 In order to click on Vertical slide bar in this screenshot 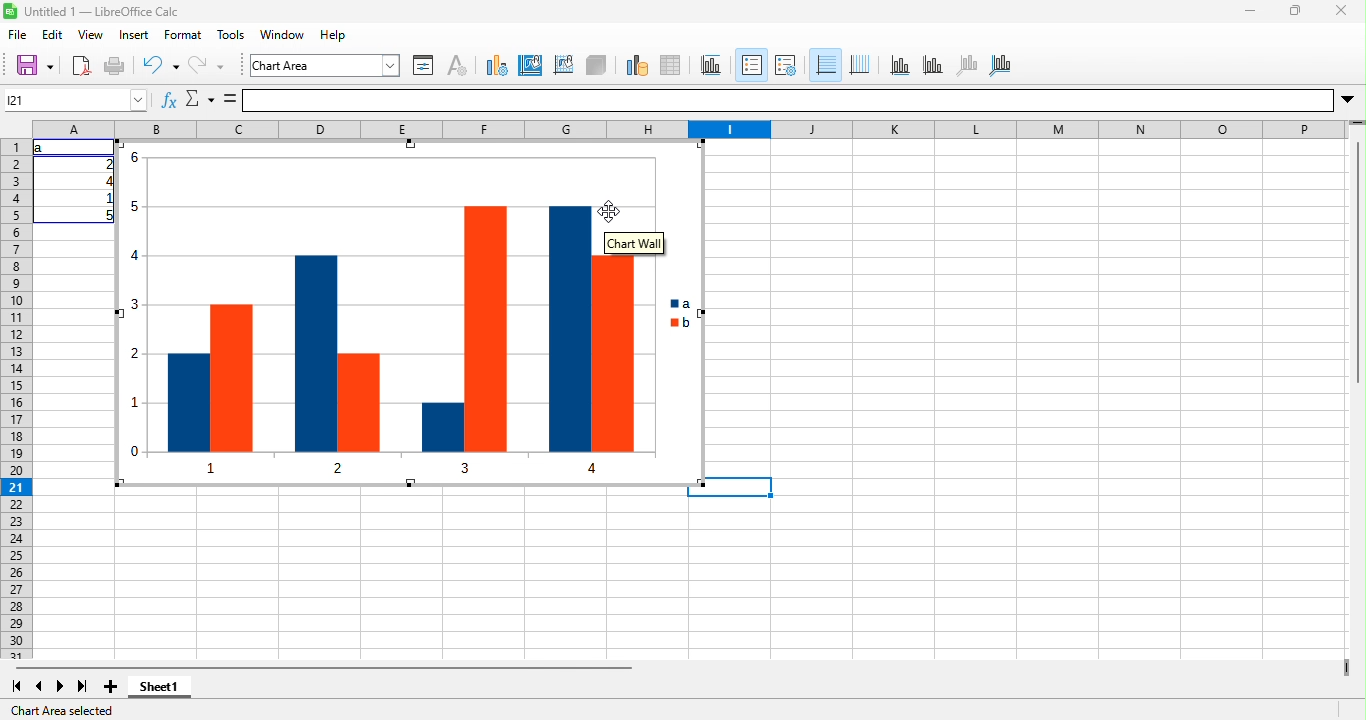, I will do `click(1358, 253)`.